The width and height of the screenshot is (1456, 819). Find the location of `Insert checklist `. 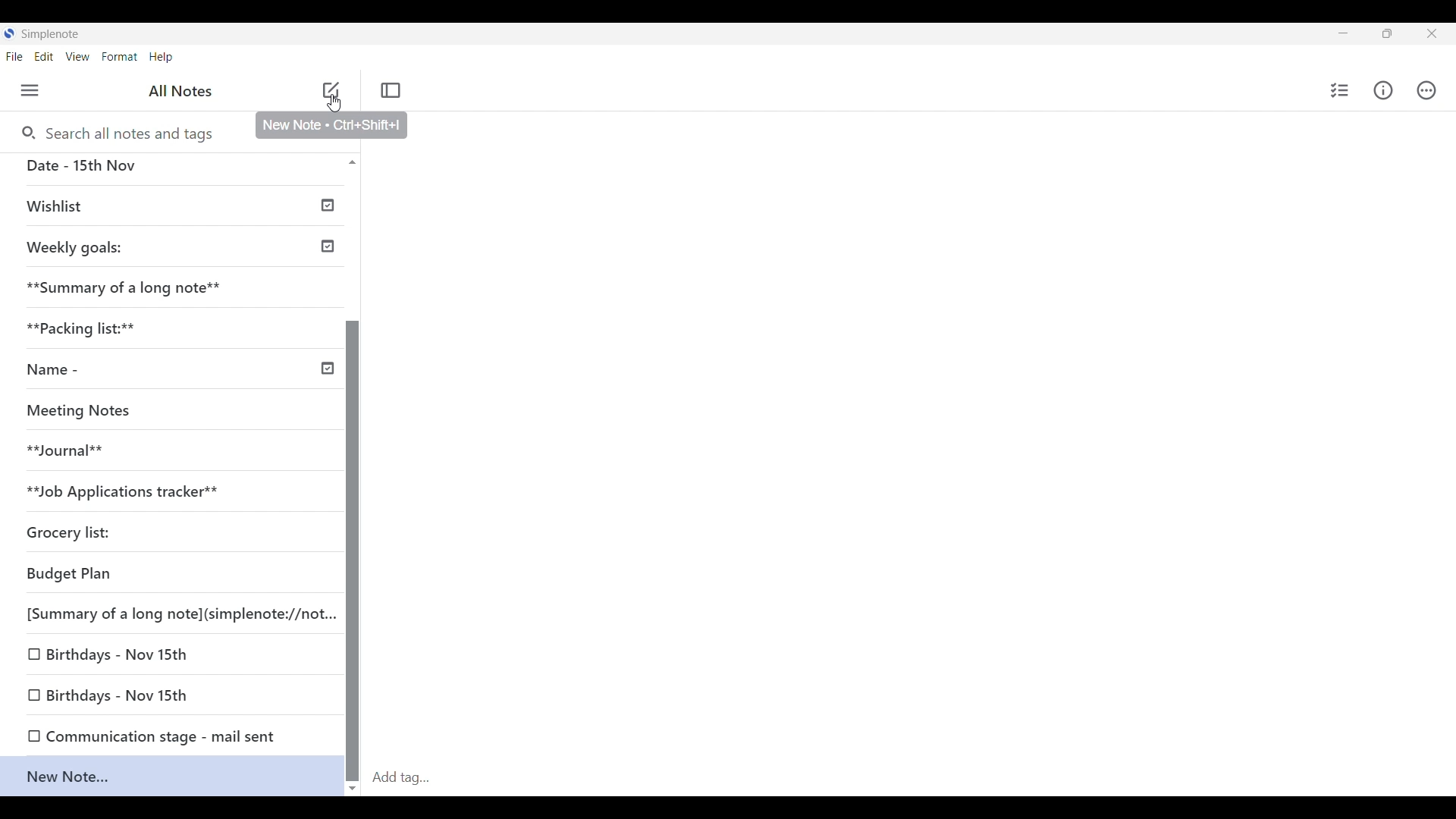

Insert checklist  is located at coordinates (1341, 90).